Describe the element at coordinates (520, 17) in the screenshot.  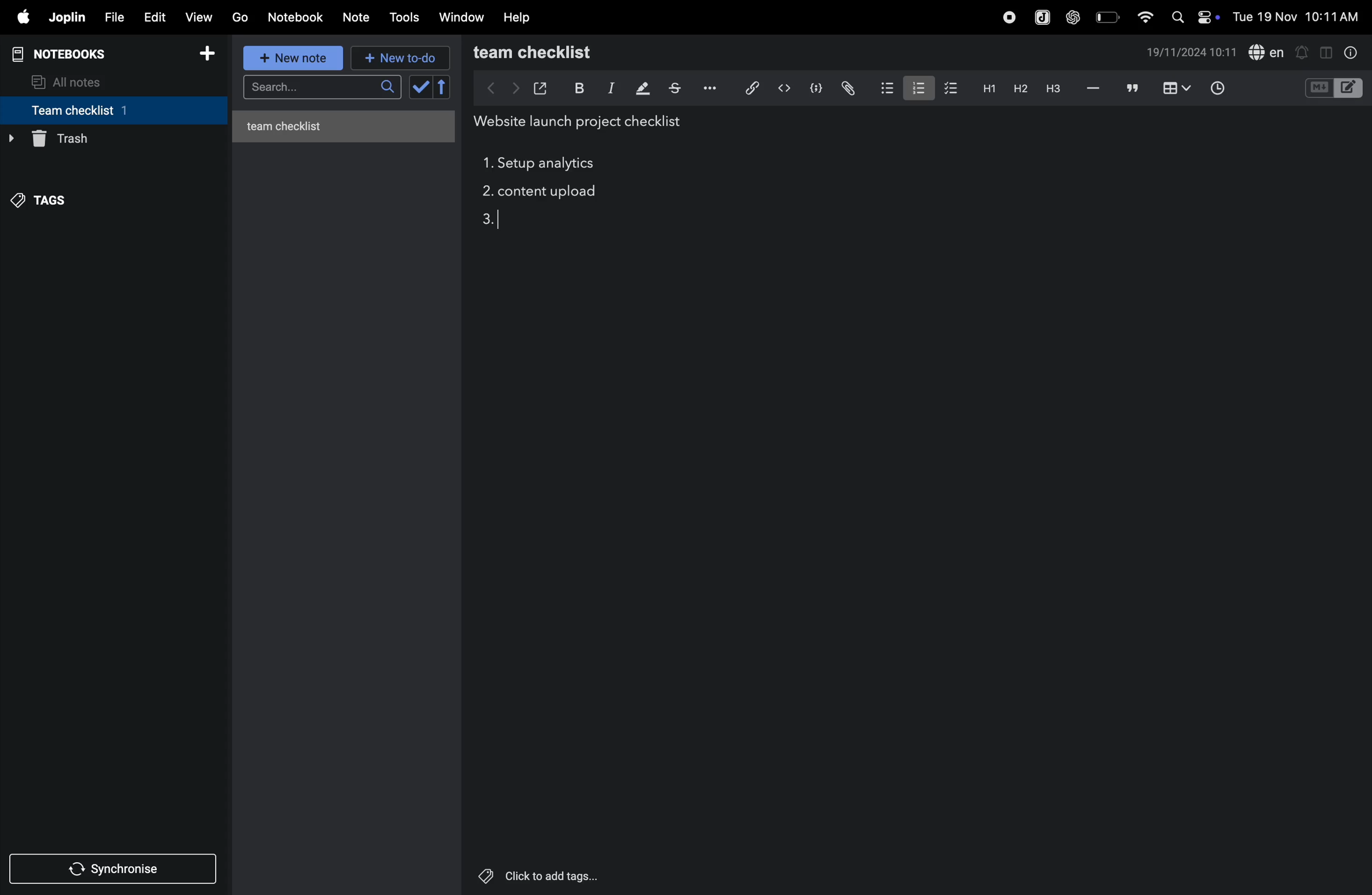
I see `help` at that location.